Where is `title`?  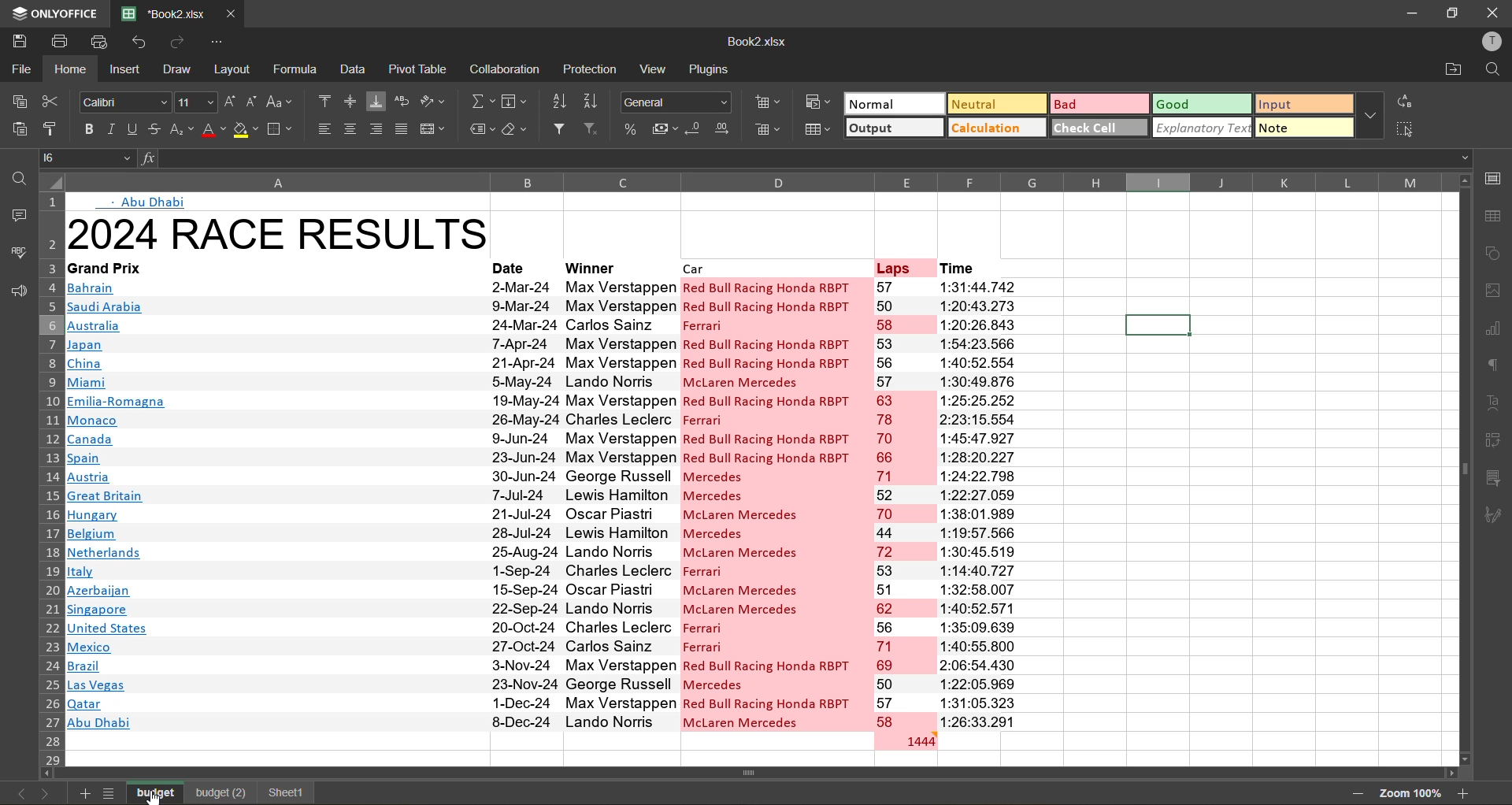 title is located at coordinates (279, 233).